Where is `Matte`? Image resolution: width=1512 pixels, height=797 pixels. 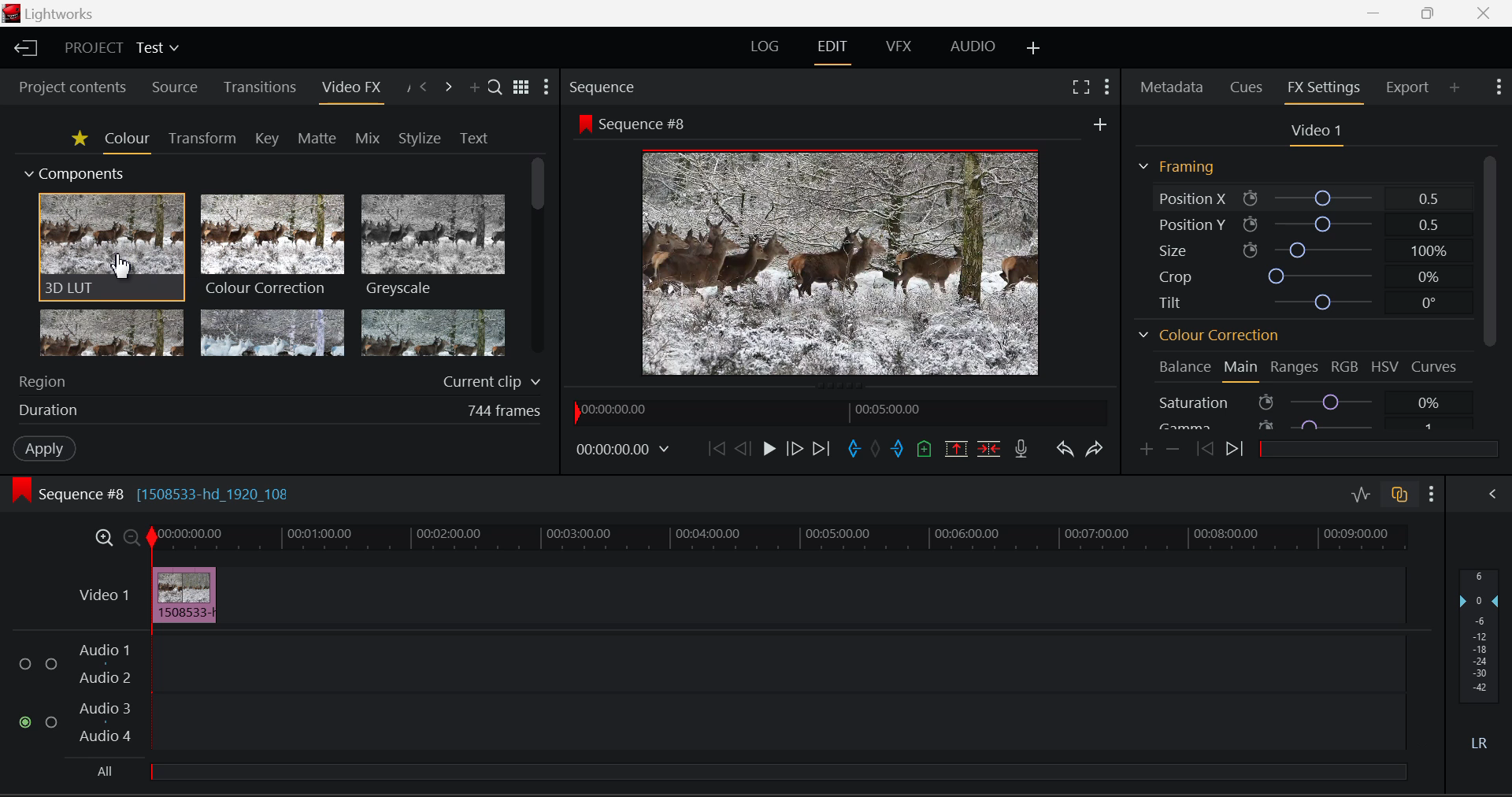 Matte is located at coordinates (313, 136).